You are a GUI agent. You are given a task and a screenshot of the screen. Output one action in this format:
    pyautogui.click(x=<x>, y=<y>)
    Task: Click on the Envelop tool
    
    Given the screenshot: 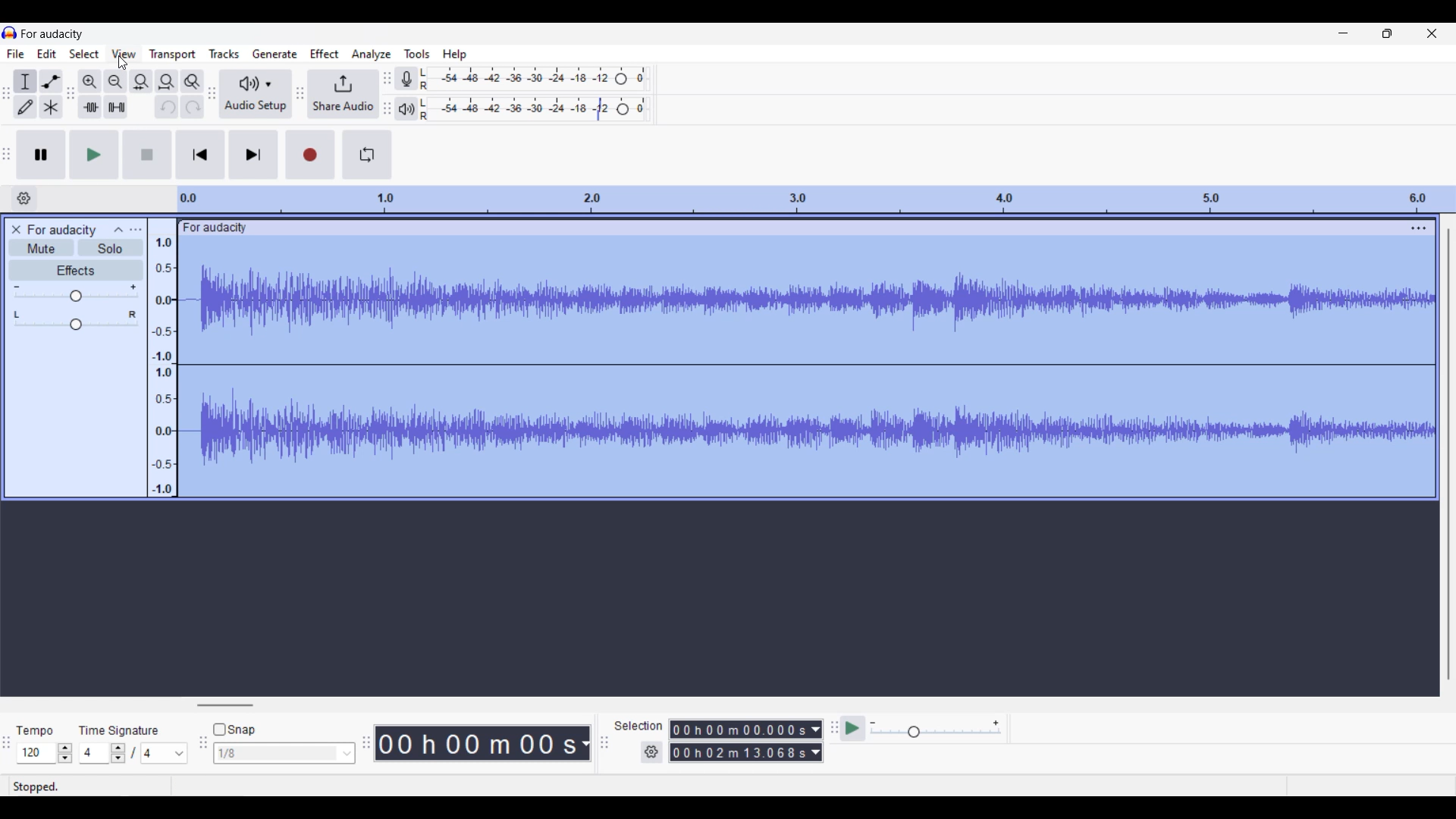 What is the action you would take?
    pyautogui.click(x=52, y=81)
    